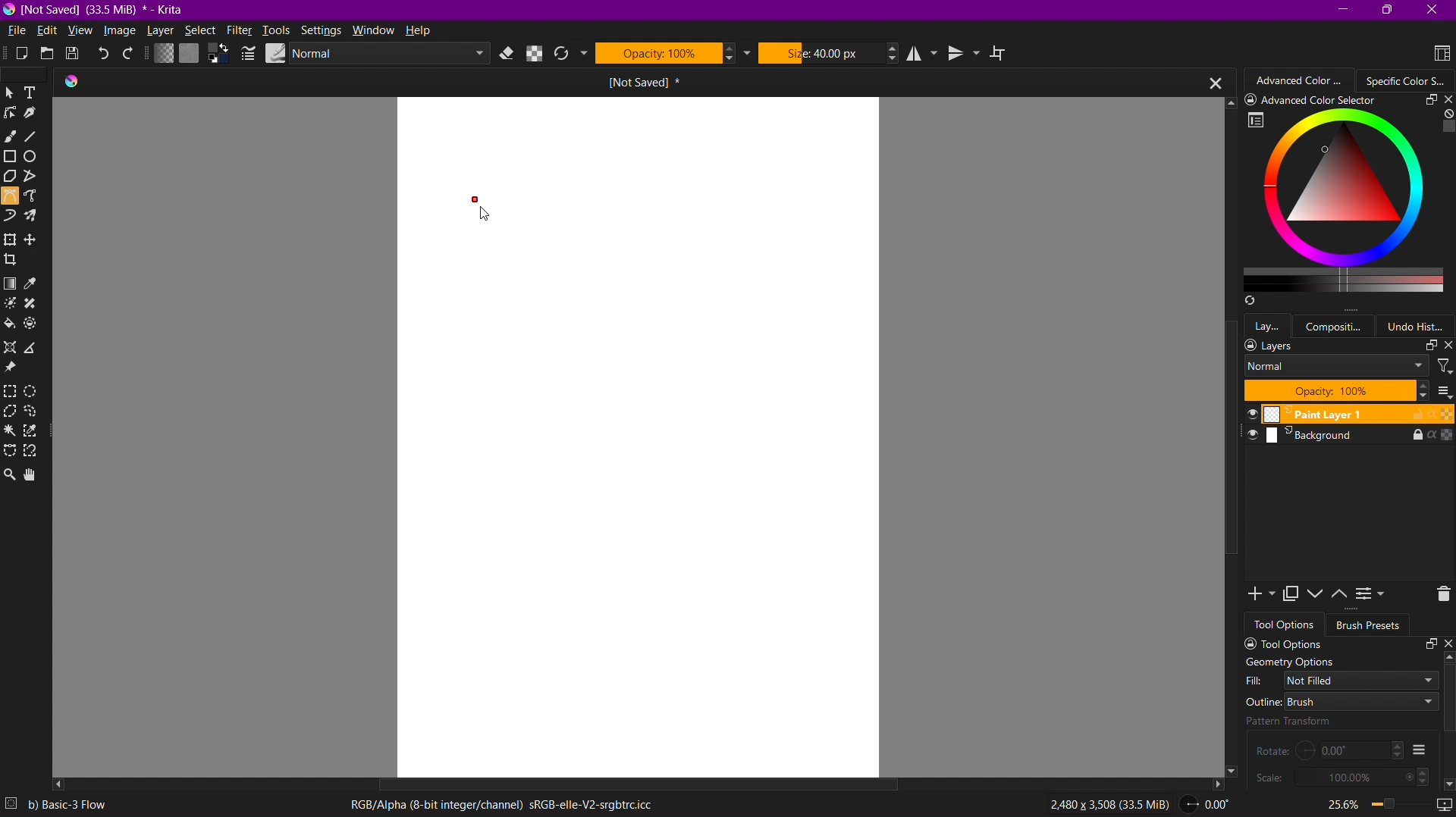  What do you see at coordinates (162, 32) in the screenshot?
I see `Layer` at bounding box center [162, 32].